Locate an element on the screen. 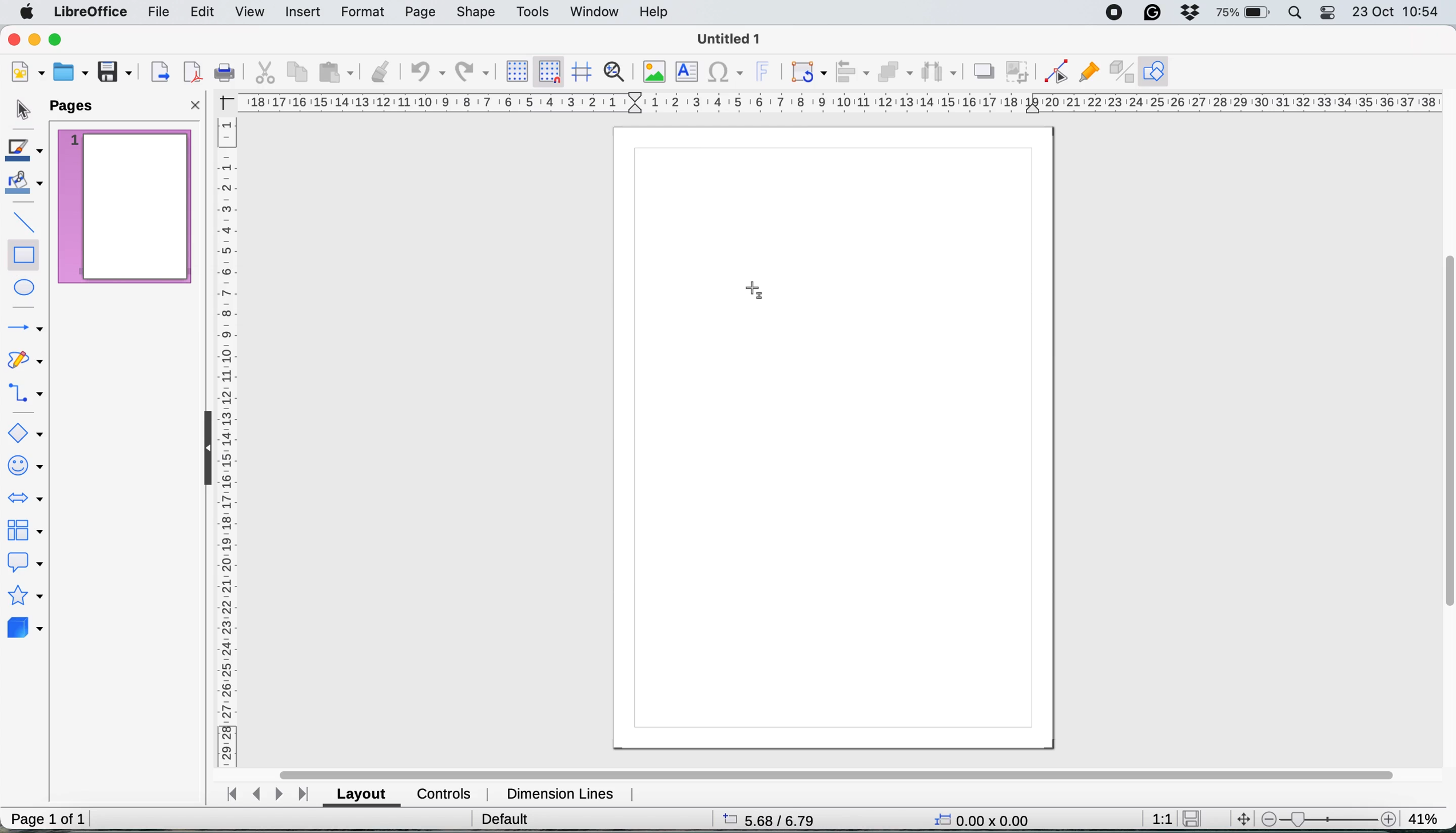 The image size is (1456, 833). insert text box is located at coordinates (689, 72).